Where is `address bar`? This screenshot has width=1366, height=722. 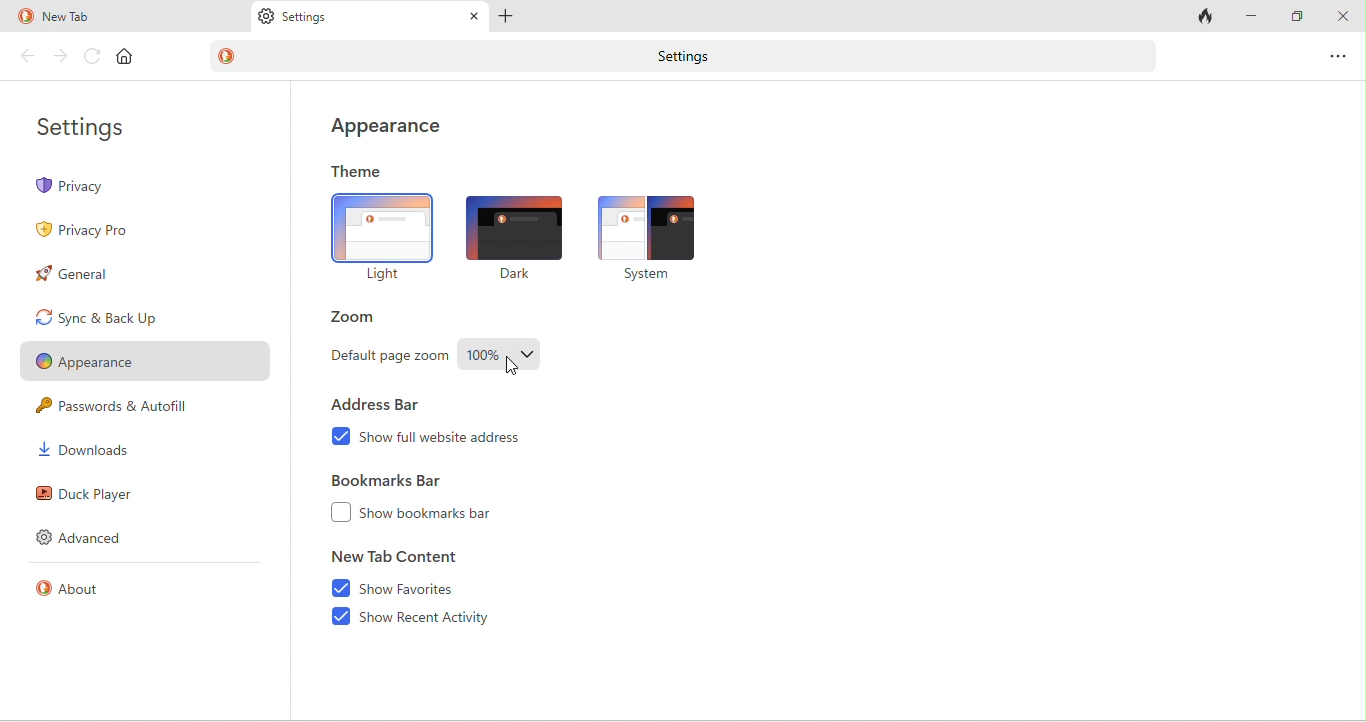
address bar is located at coordinates (381, 403).